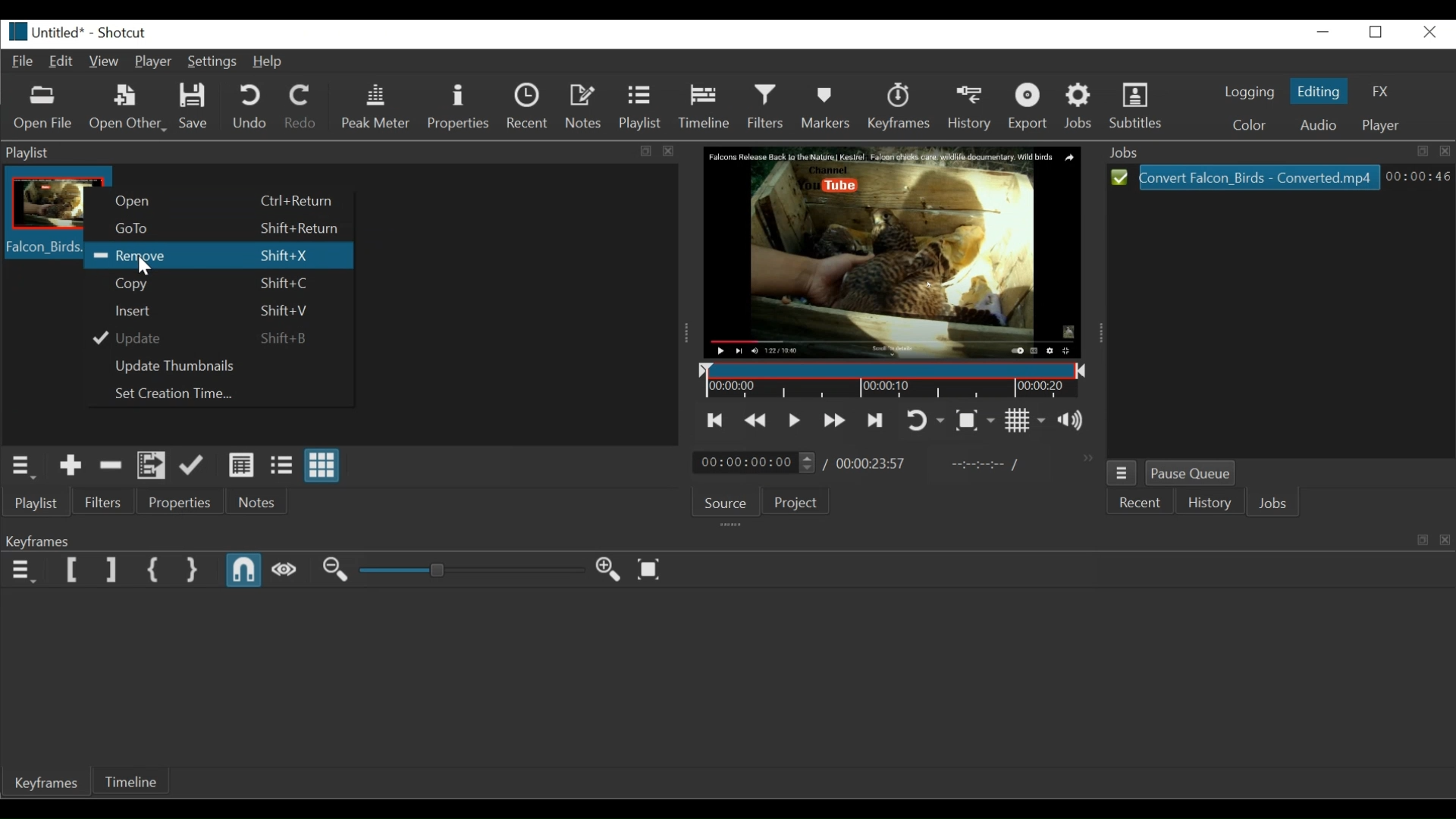  I want to click on Snap, so click(244, 571).